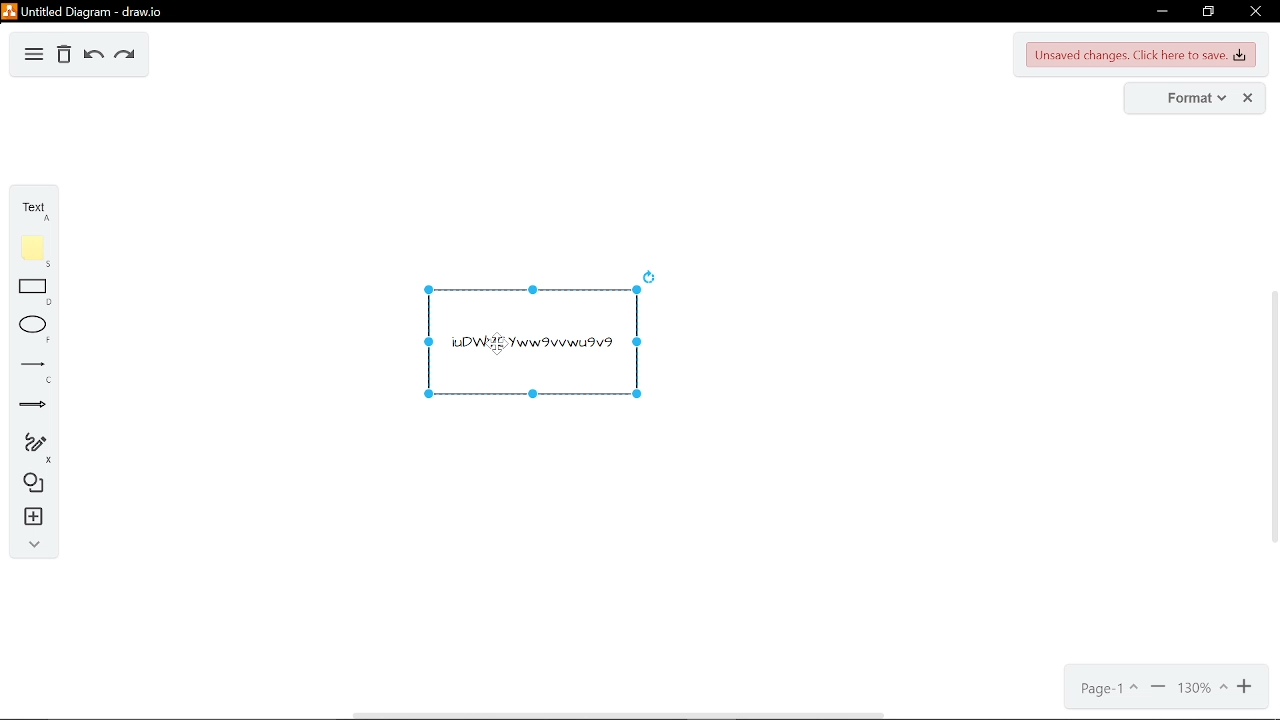 The image size is (1280, 720). What do you see at coordinates (31, 446) in the screenshot?
I see `freehand` at bounding box center [31, 446].